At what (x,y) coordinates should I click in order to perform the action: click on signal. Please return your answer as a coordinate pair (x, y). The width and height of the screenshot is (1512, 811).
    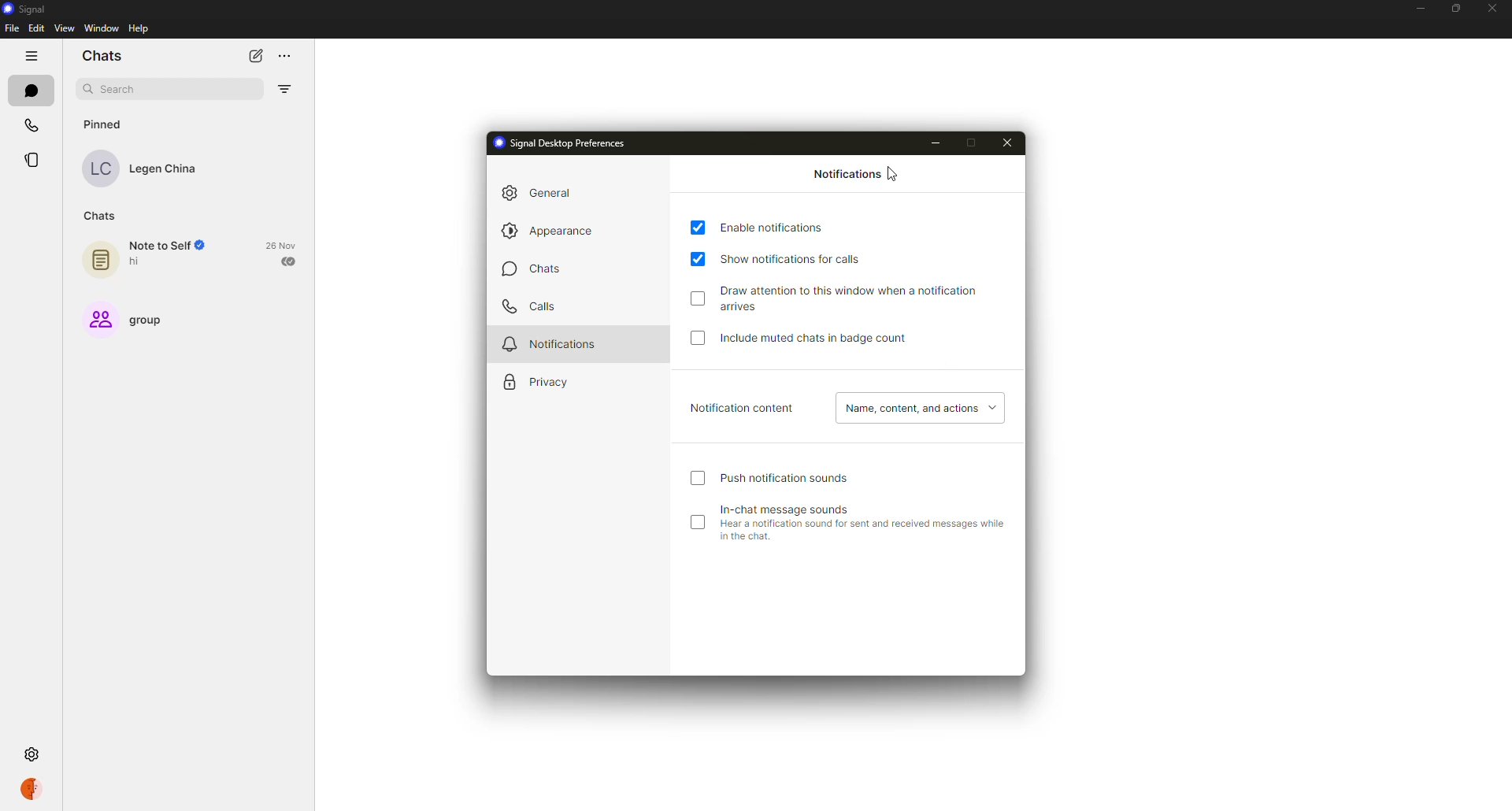
    Looking at the image, I should click on (29, 9).